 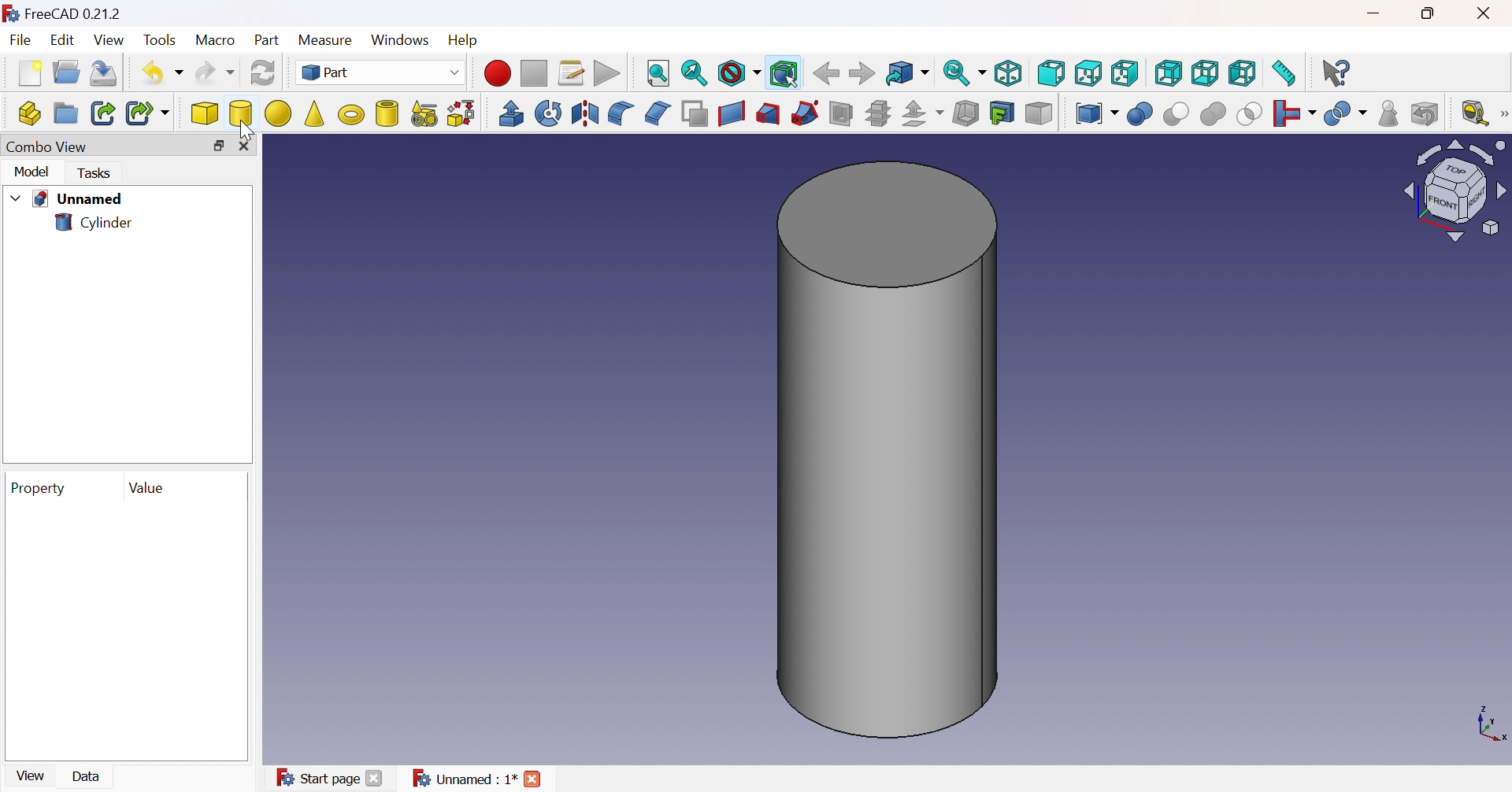 I want to click on Refresh, so click(x=263, y=73).